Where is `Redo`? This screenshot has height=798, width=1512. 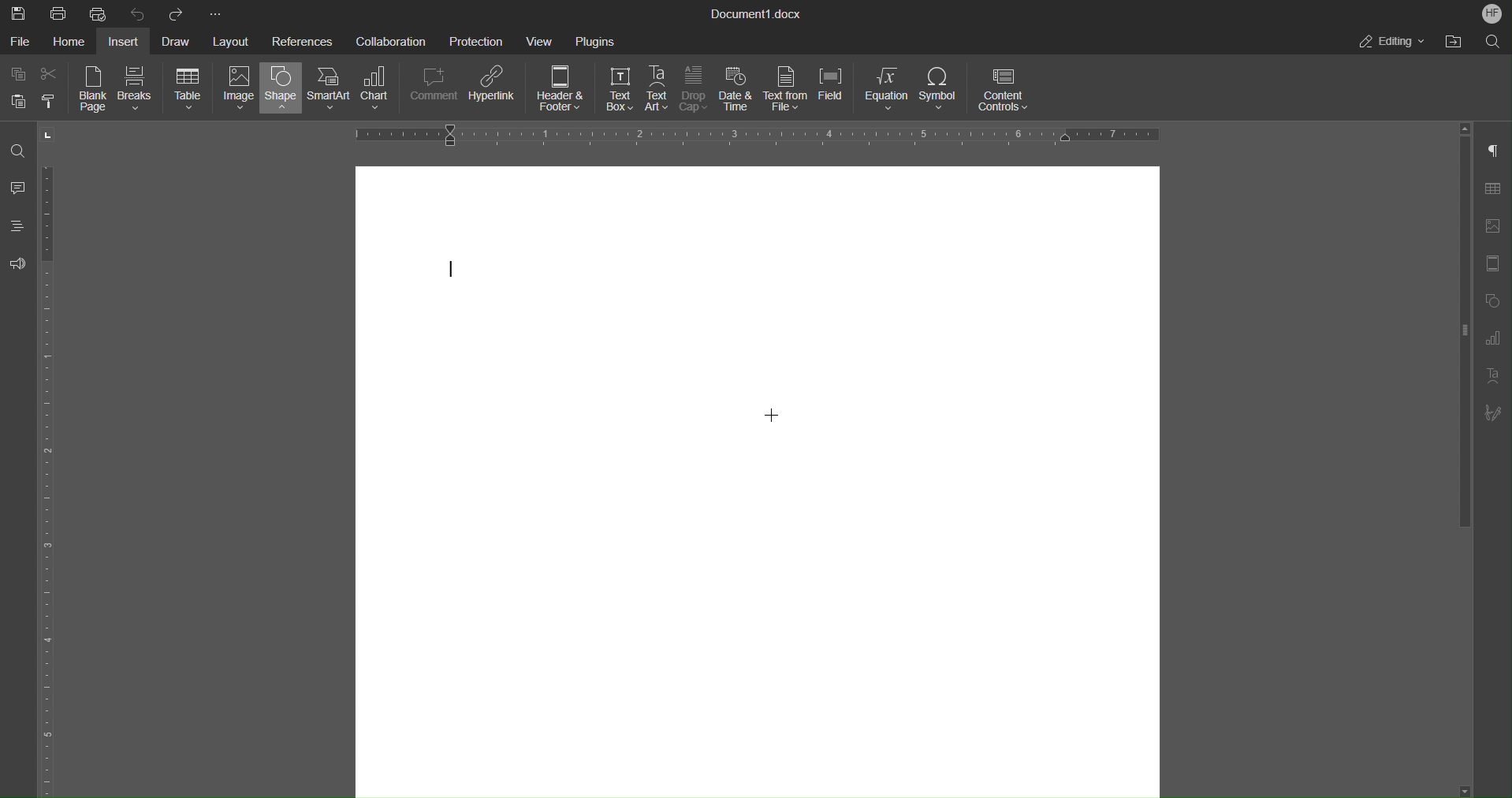
Redo is located at coordinates (177, 13).